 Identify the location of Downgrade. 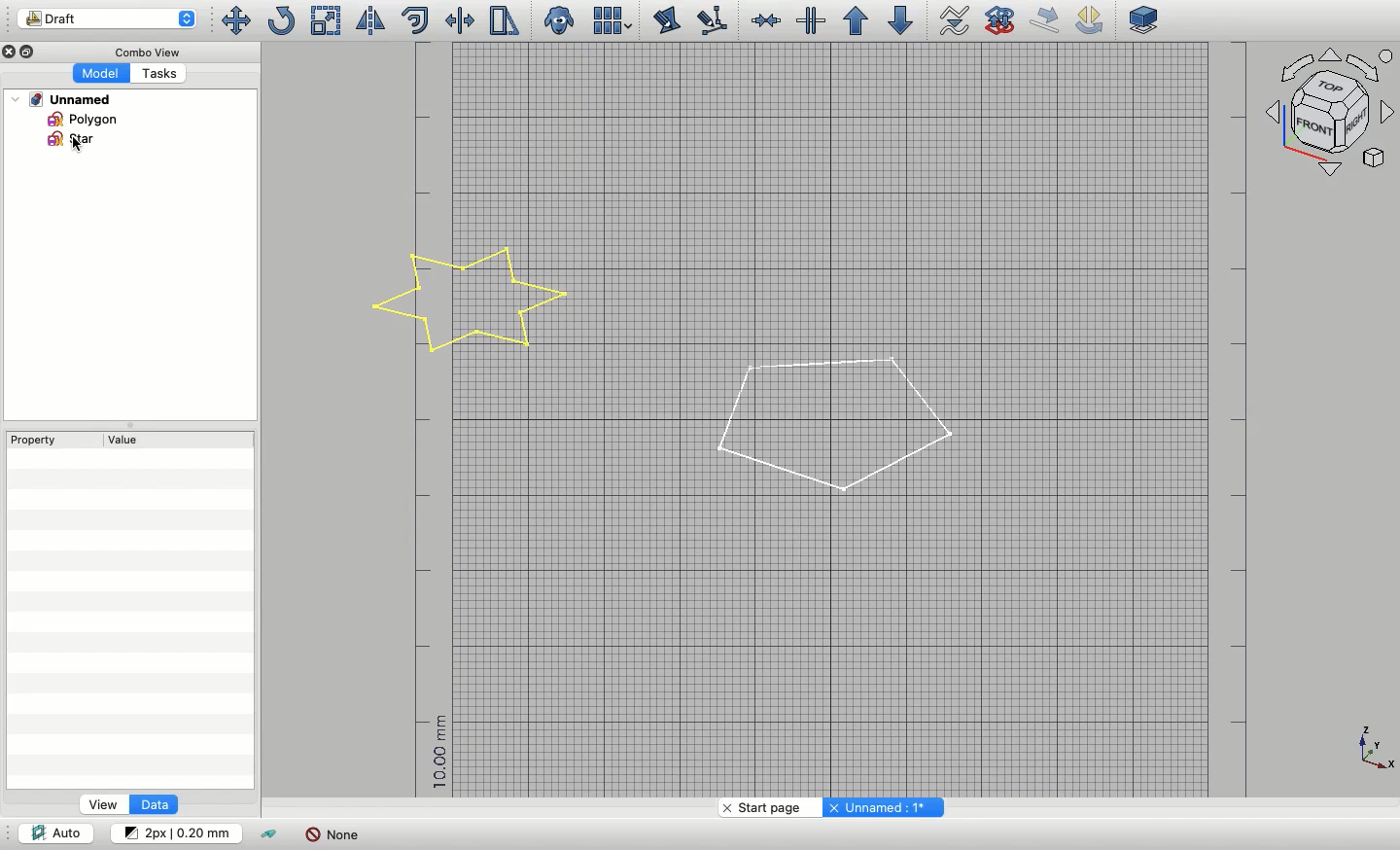
(897, 20).